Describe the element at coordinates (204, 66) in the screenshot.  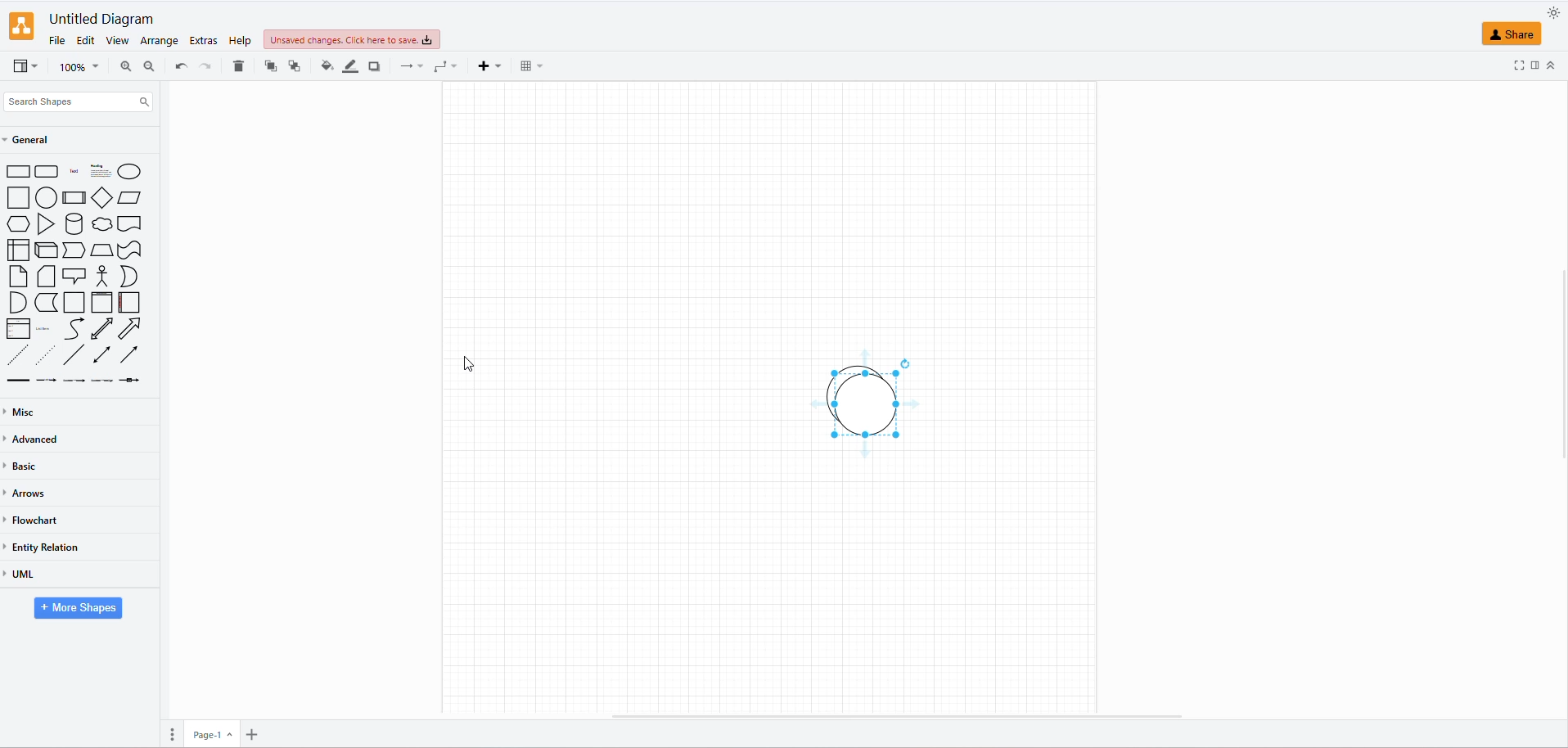
I see `REDO` at that location.